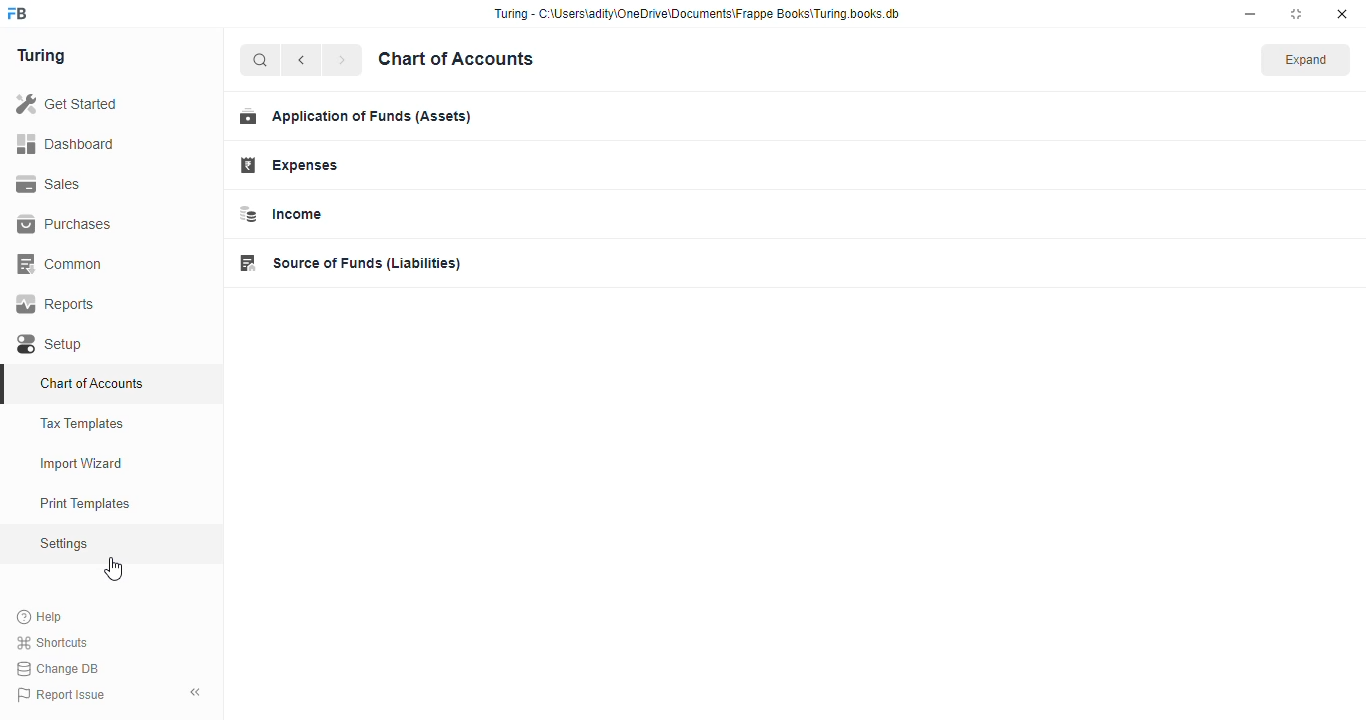 This screenshot has height=720, width=1366. I want to click on Source of Funds (Liabilities), so click(571, 264).